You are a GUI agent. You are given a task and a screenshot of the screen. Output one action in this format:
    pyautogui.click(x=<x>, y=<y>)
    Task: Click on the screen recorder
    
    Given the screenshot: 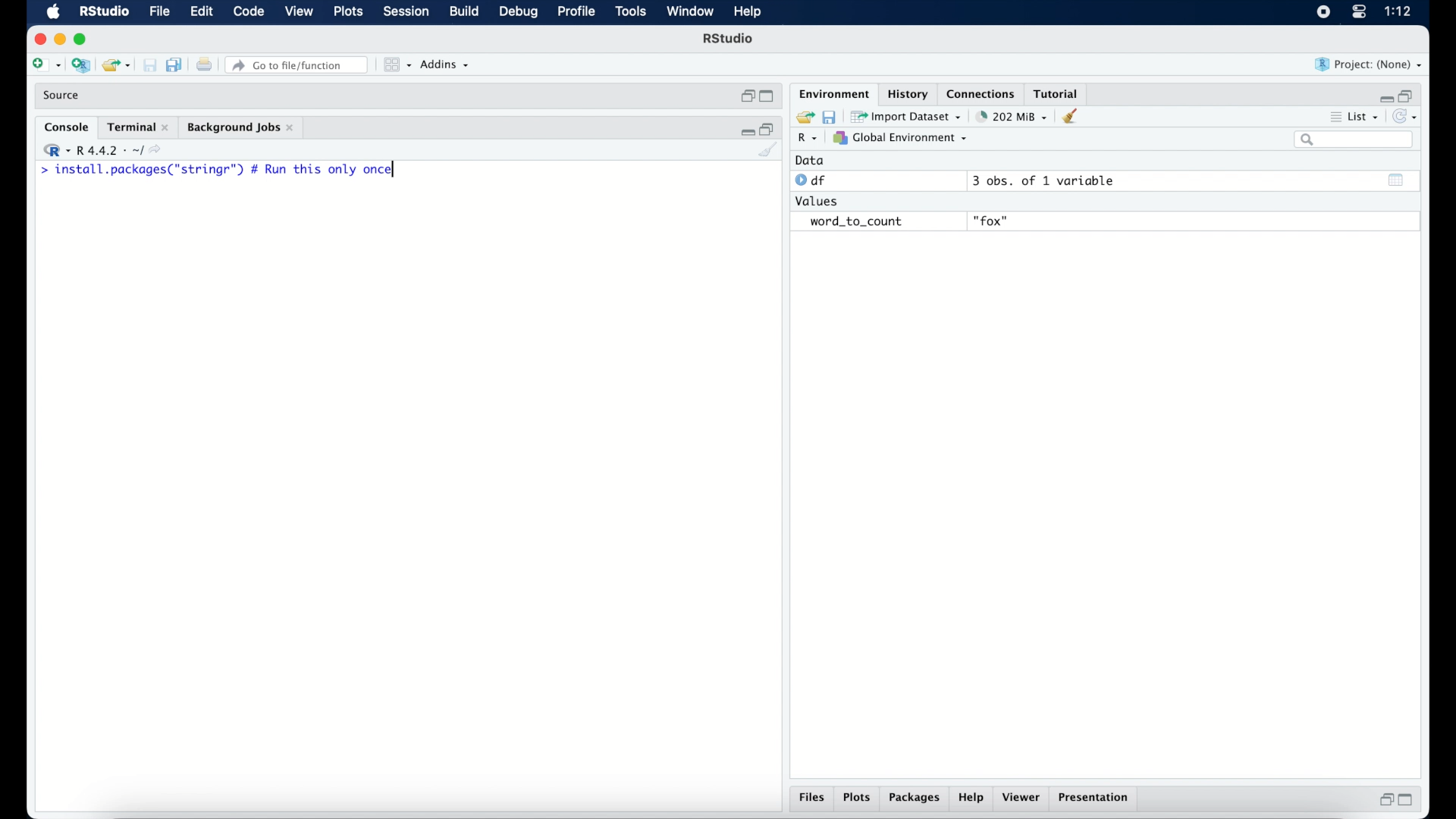 What is the action you would take?
    pyautogui.click(x=1323, y=13)
    